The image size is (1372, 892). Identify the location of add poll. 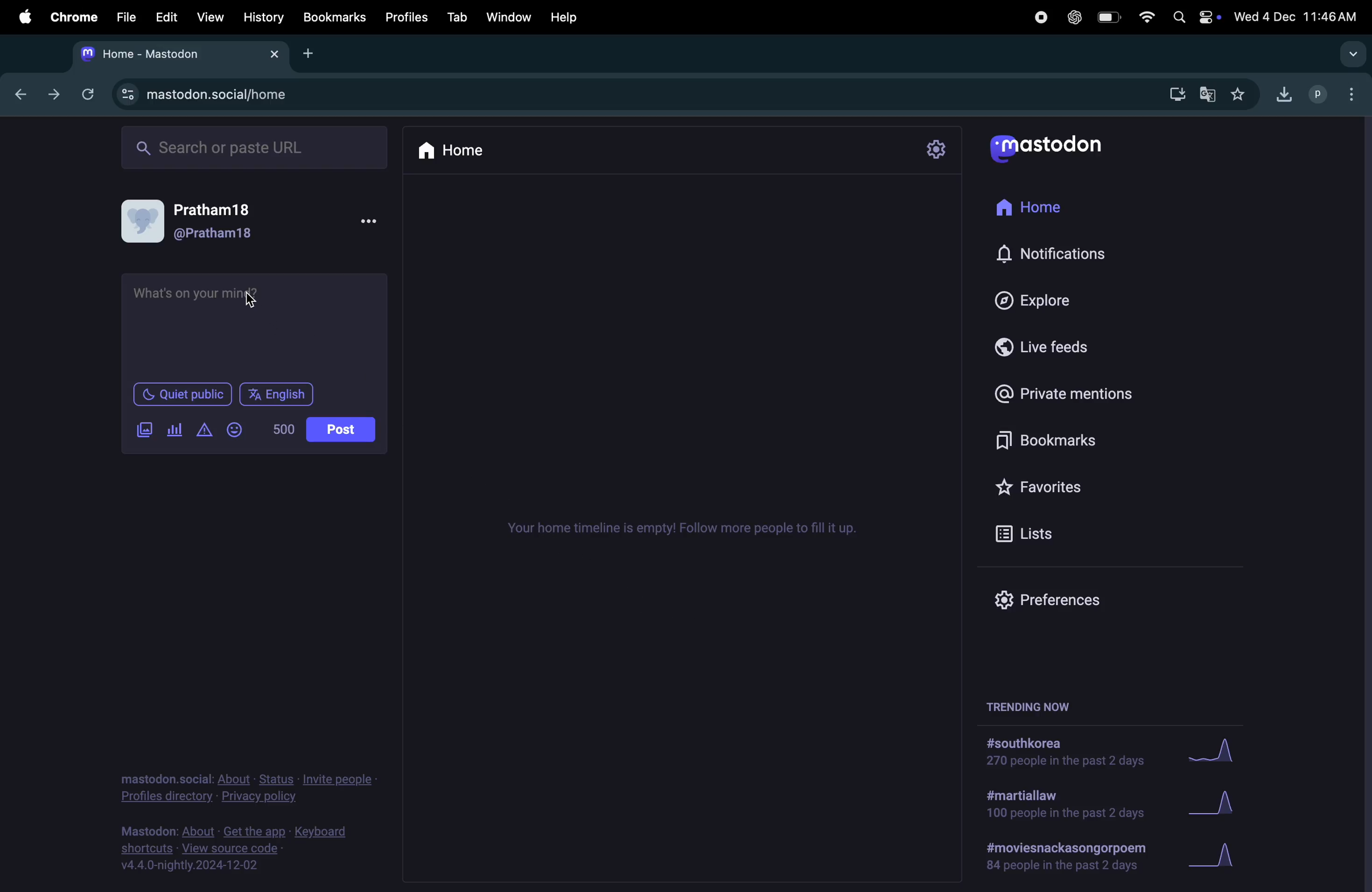
(176, 428).